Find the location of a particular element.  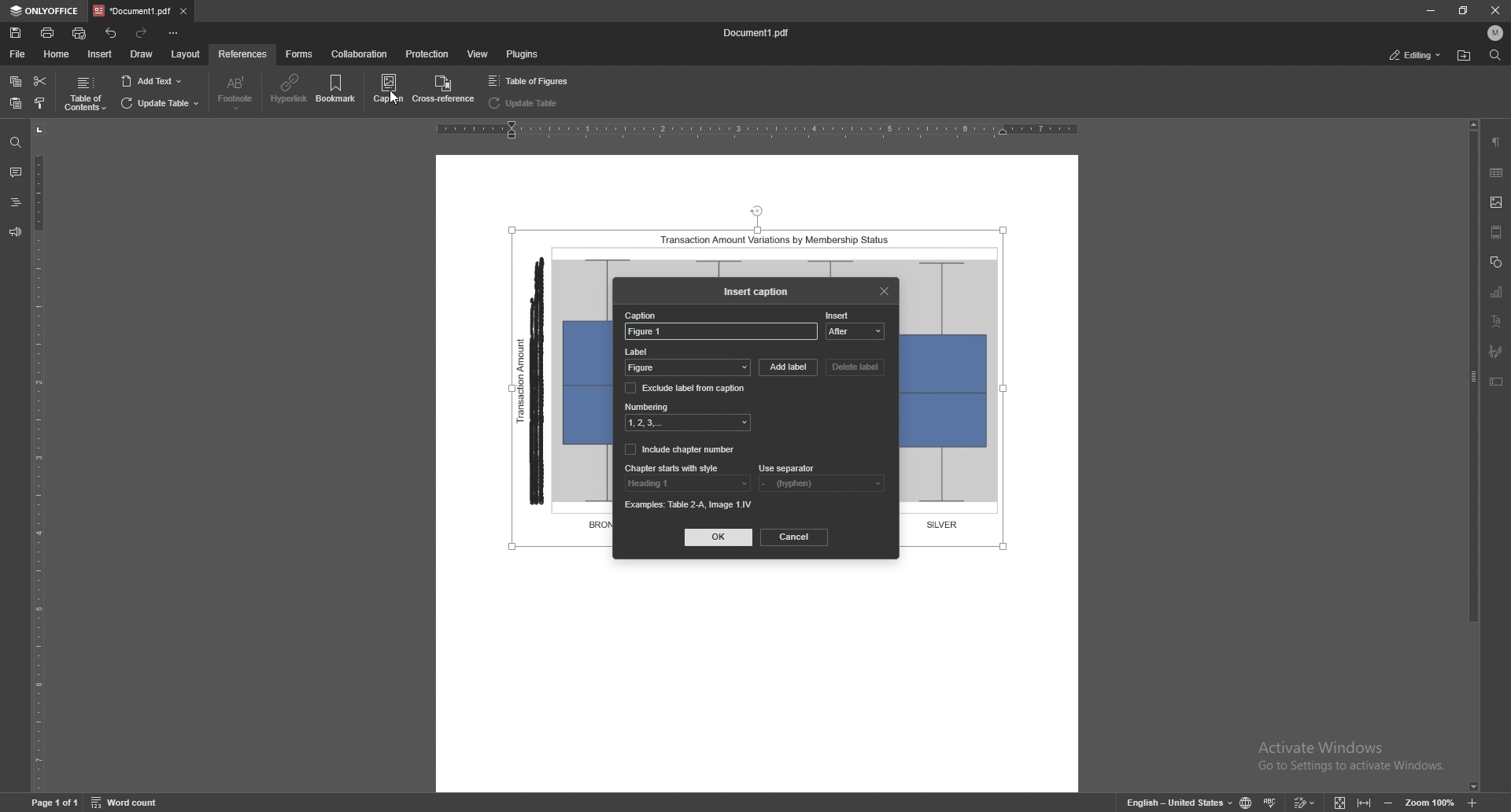

input box is located at coordinates (720, 333).